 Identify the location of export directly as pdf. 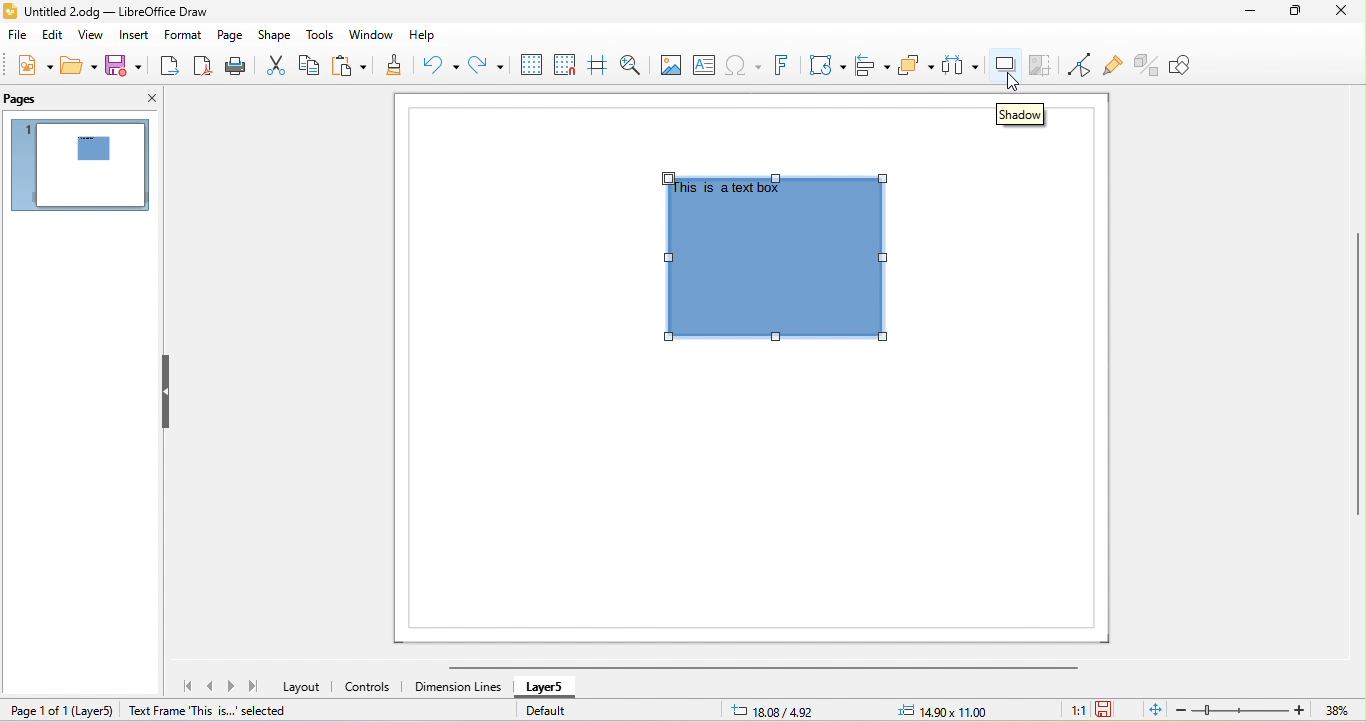
(203, 67).